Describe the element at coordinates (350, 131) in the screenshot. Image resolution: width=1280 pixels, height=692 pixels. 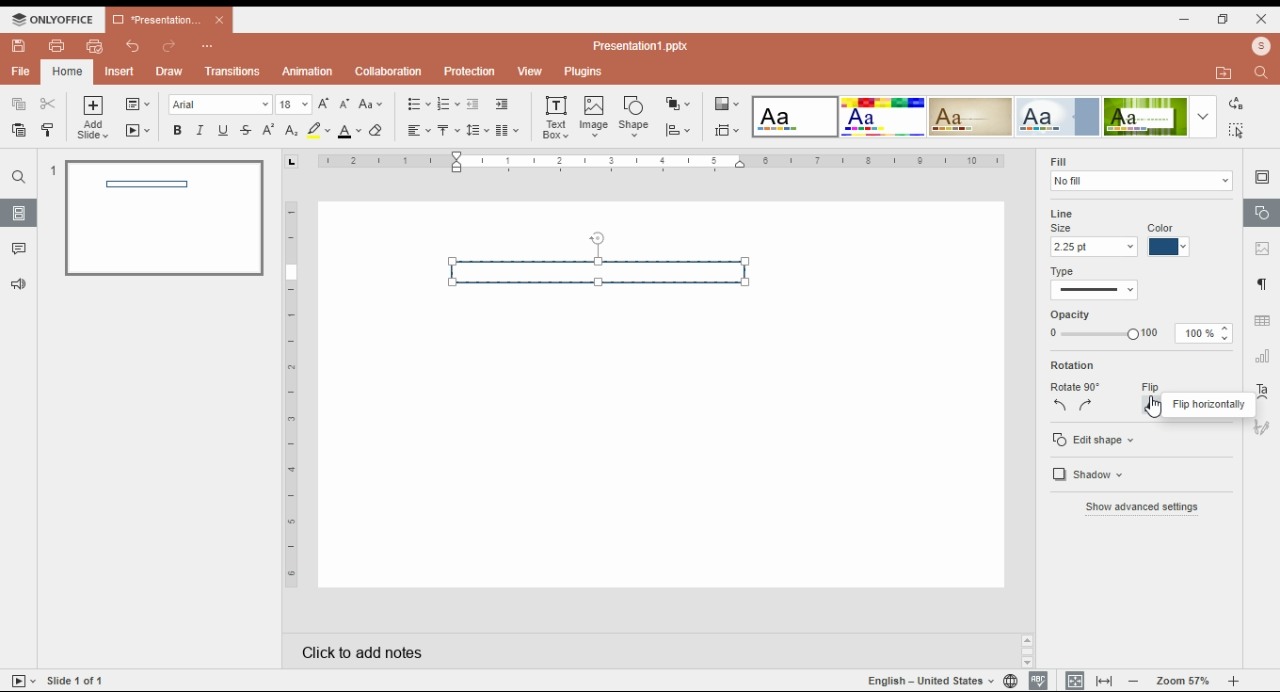
I see `font color` at that location.